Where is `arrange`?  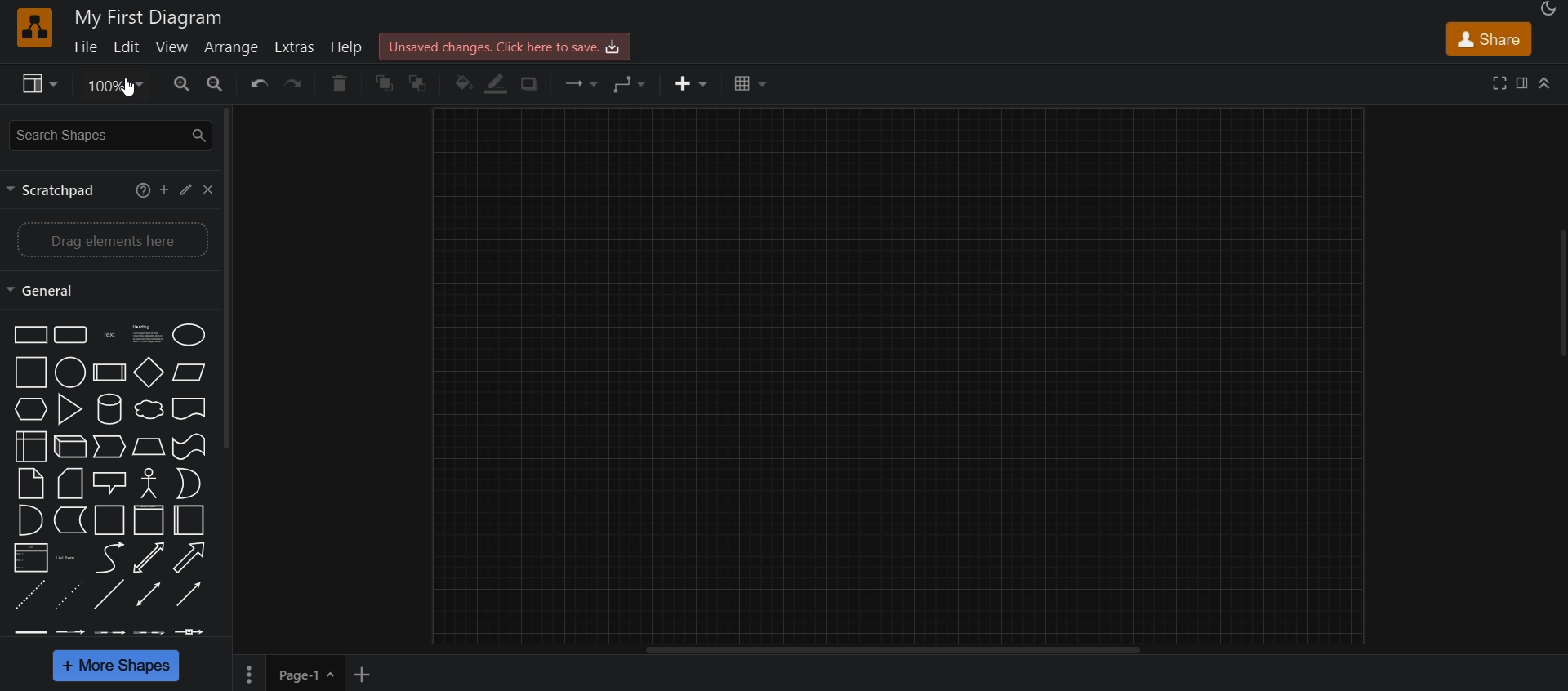 arrange is located at coordinates (234, 49).